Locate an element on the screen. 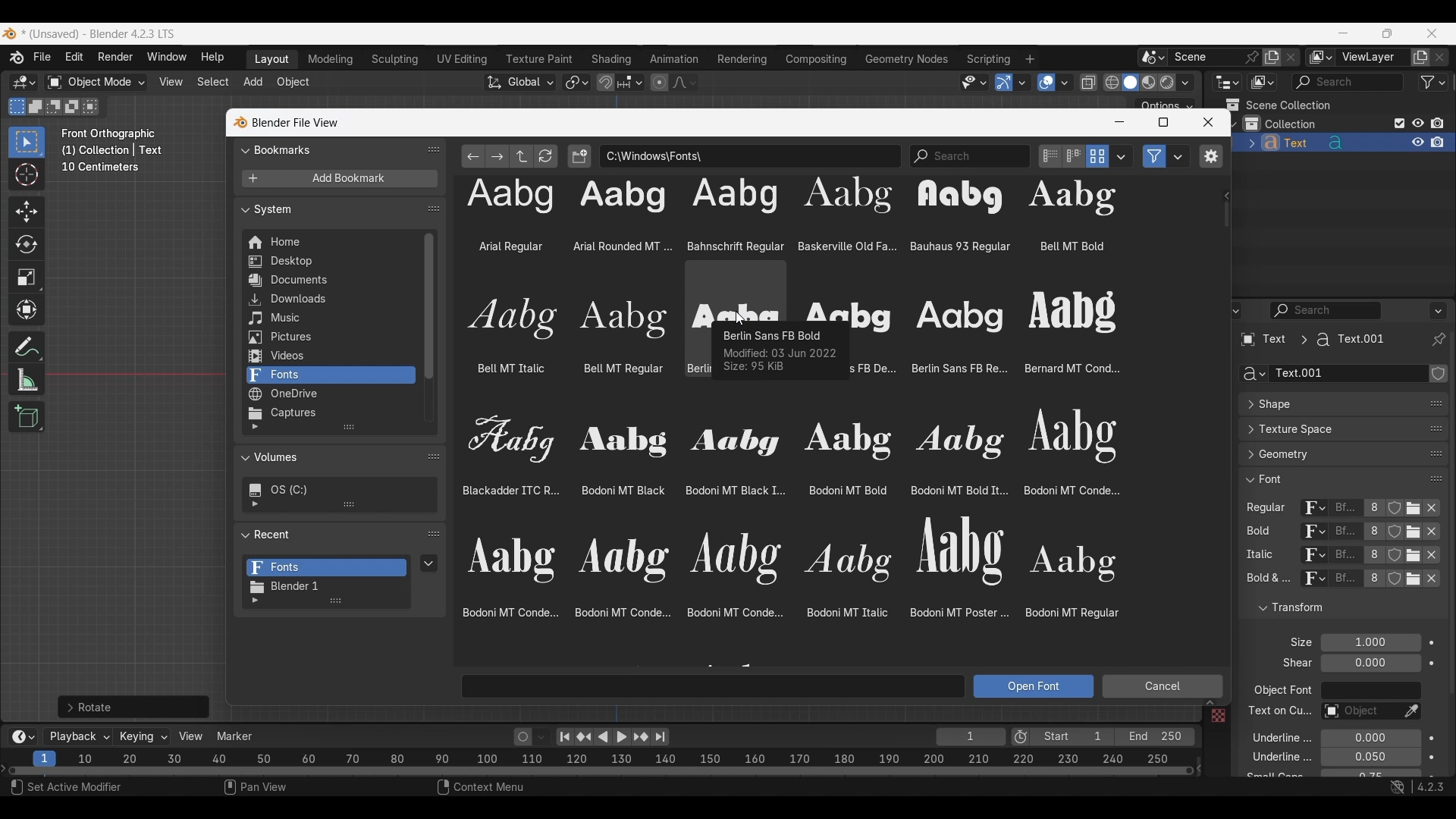 This screenshot has height=819, width=1456. Scale is located at coordinates (27, 278).